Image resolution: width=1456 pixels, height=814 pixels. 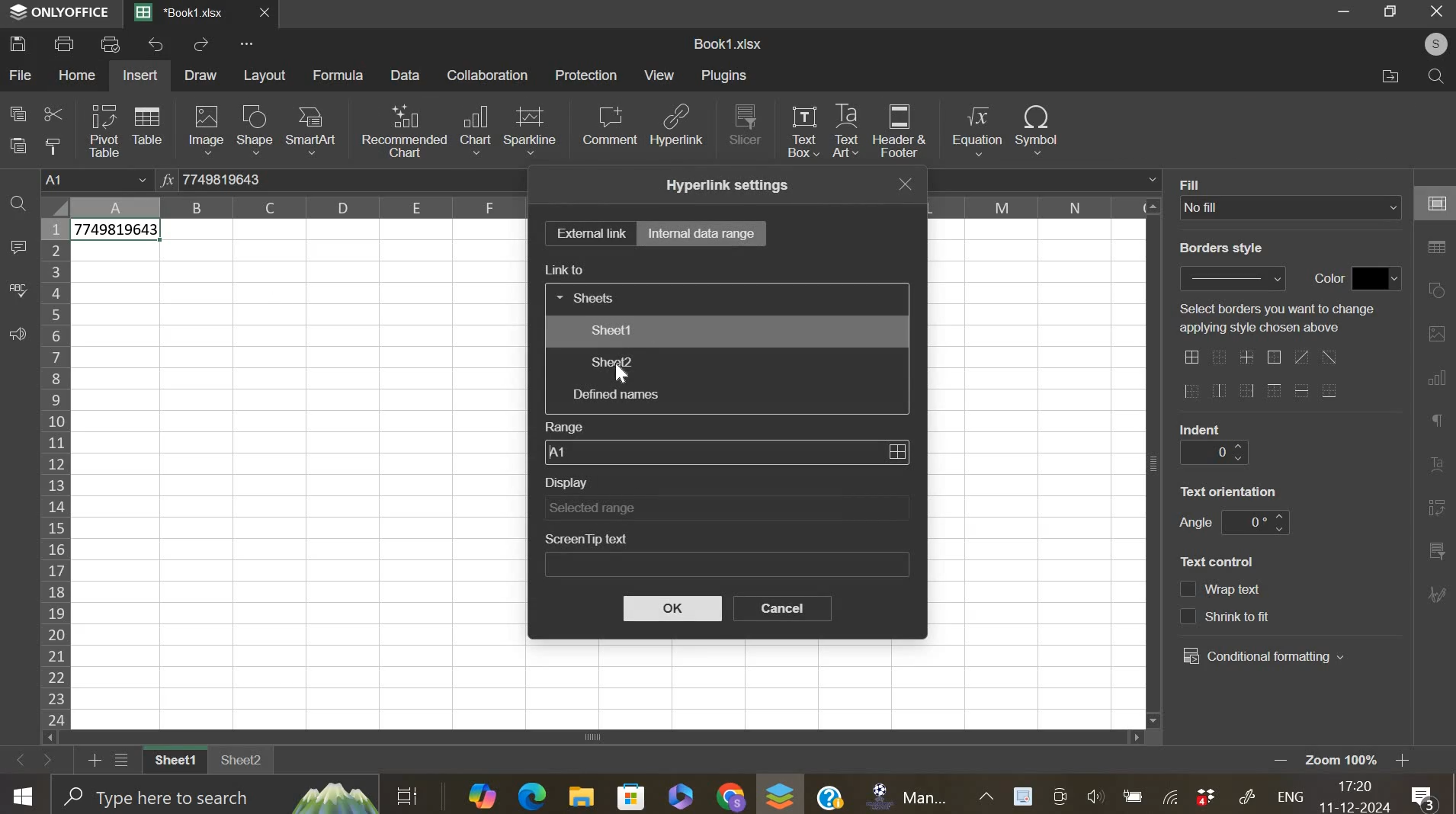 What do you see at coordinates (1362, 761) in the screenshot?
I see `zoom` at bounding box center [1362, 761].